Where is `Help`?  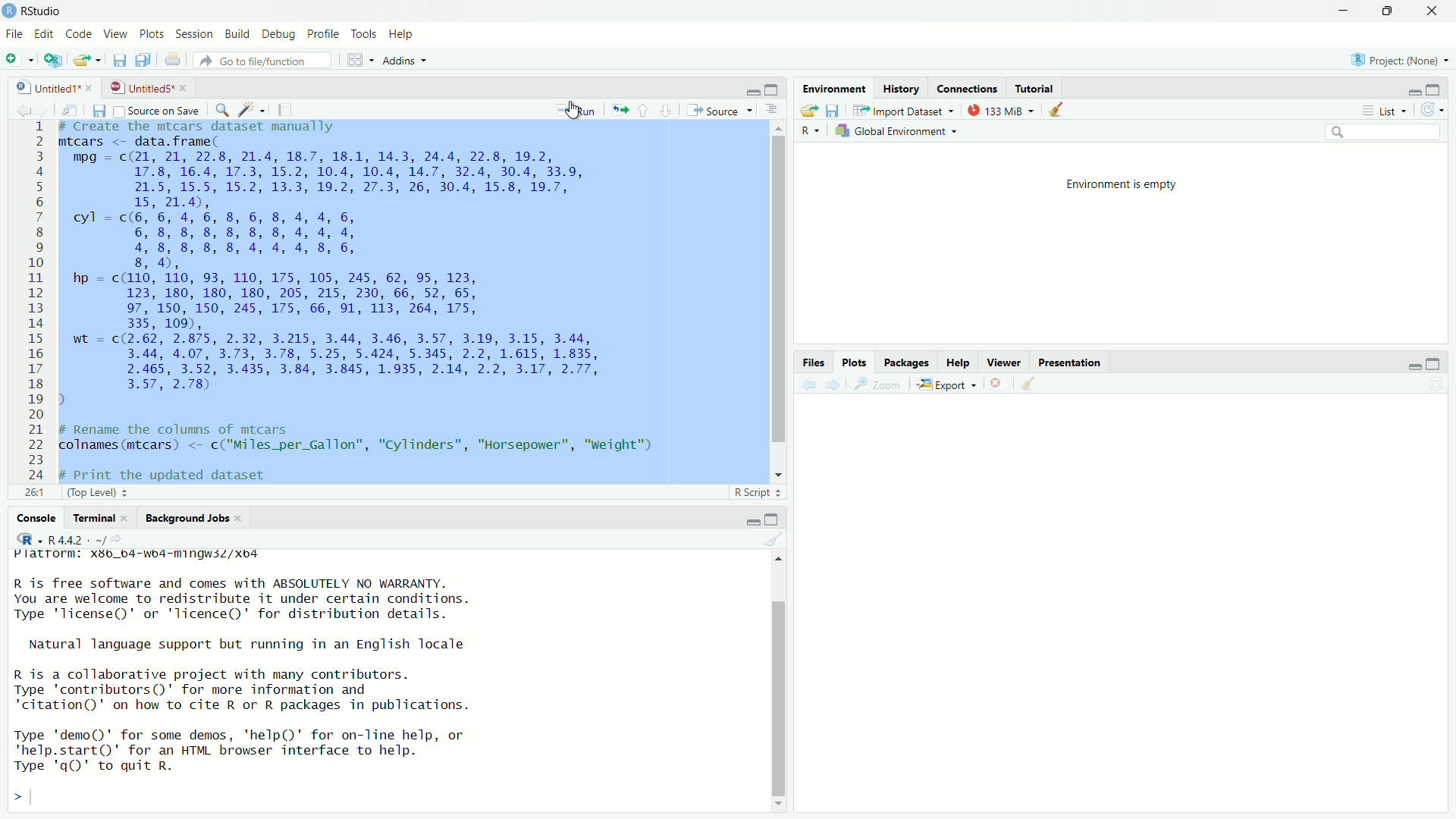 Help is located at coordinates (403, 36).